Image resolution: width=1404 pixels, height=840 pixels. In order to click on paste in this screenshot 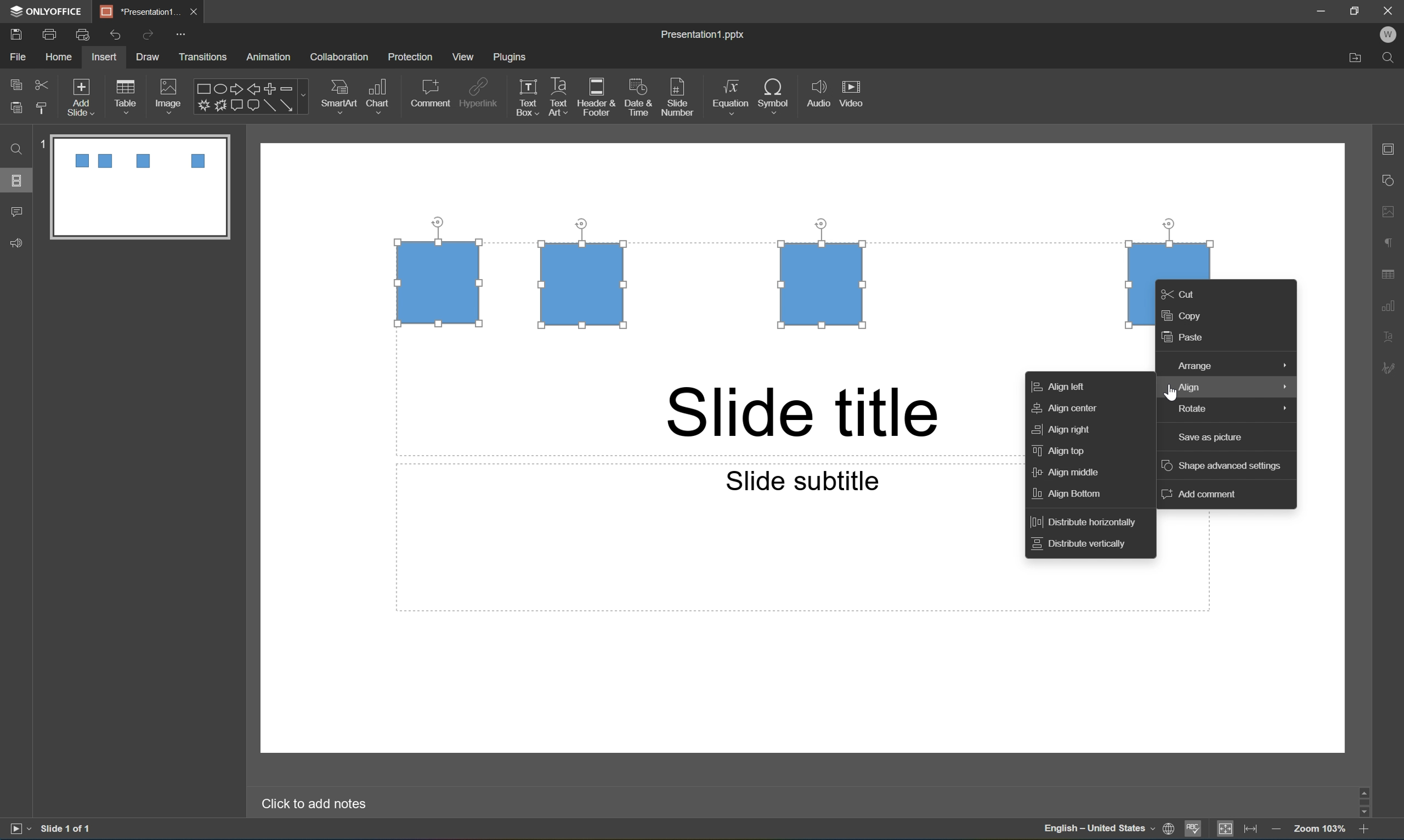, I will do `click(18, 109)`.